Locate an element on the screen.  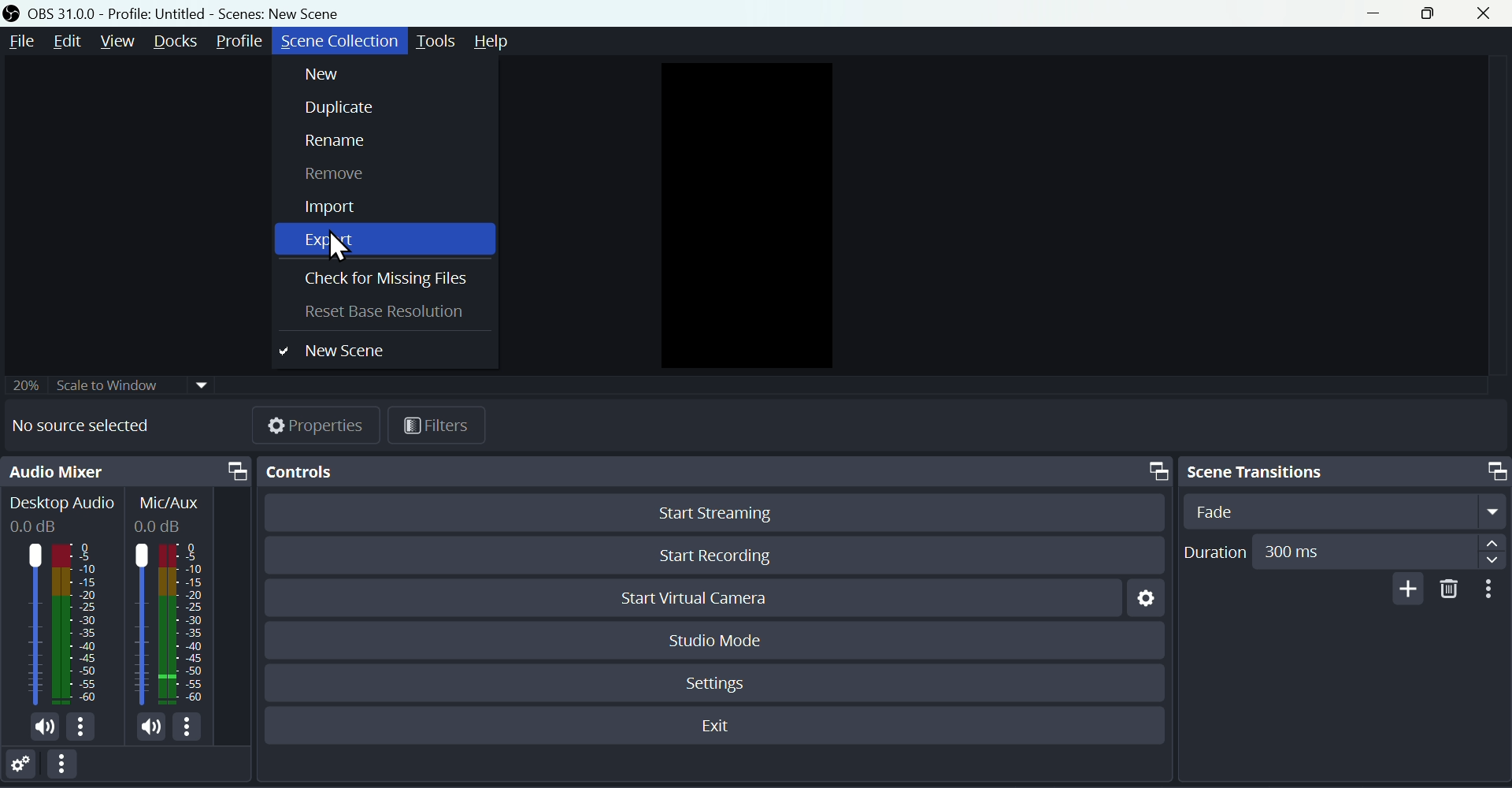
Studio mode is located at coordinates (716, 638).